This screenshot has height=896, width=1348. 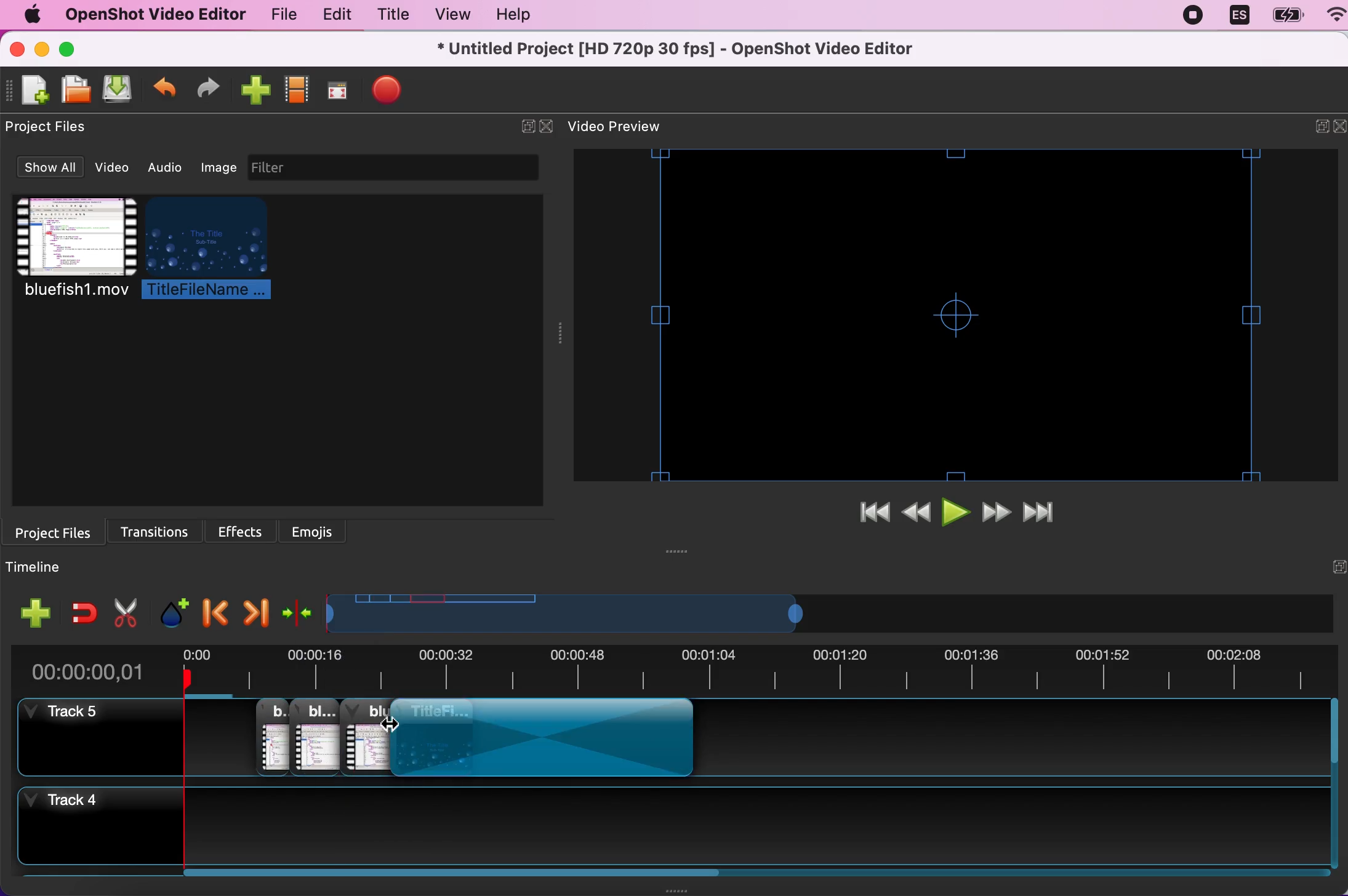 I want to click on titlefilename, so click(x=215, y=250).